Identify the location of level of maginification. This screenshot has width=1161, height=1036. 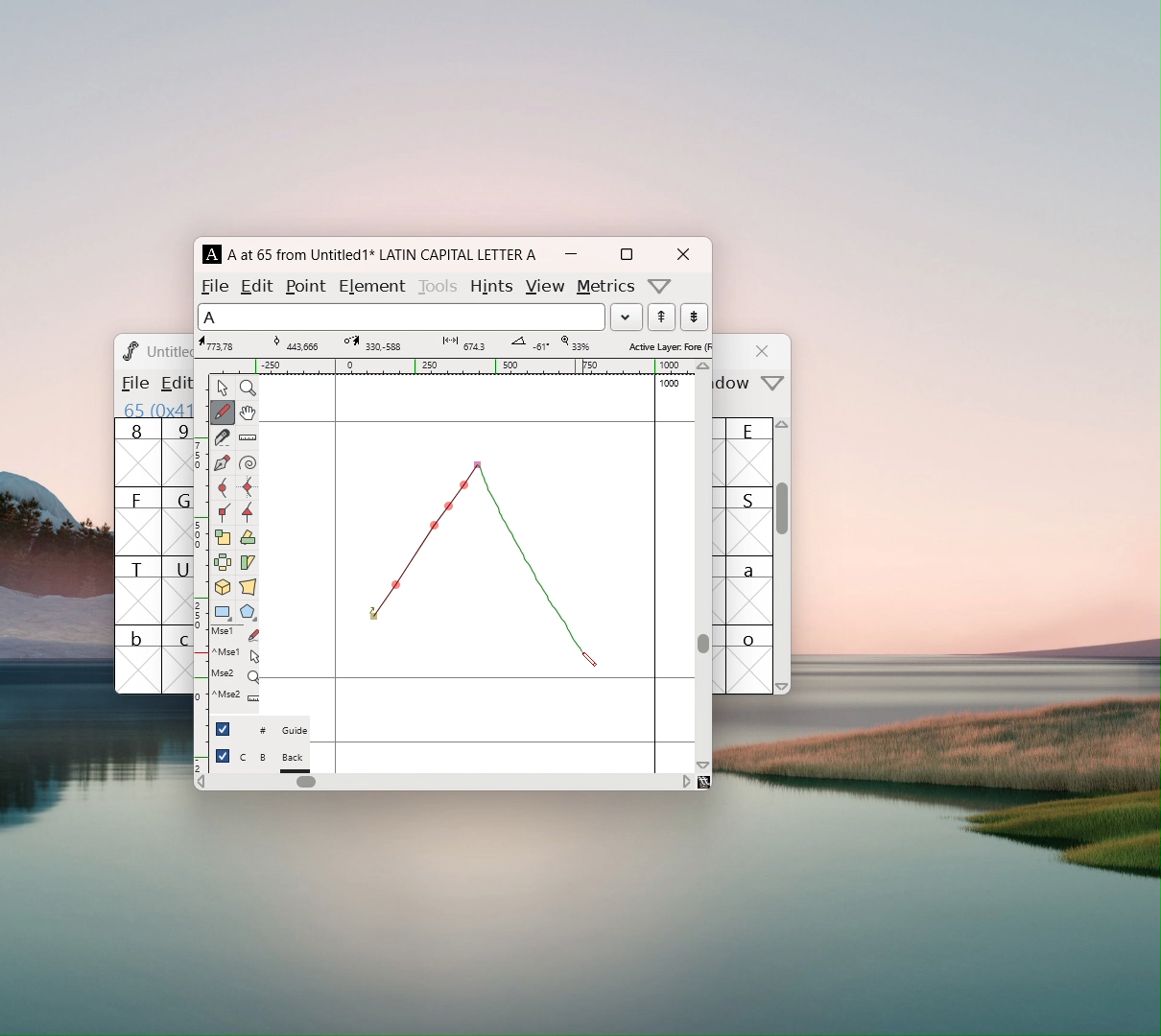
(574, 343).